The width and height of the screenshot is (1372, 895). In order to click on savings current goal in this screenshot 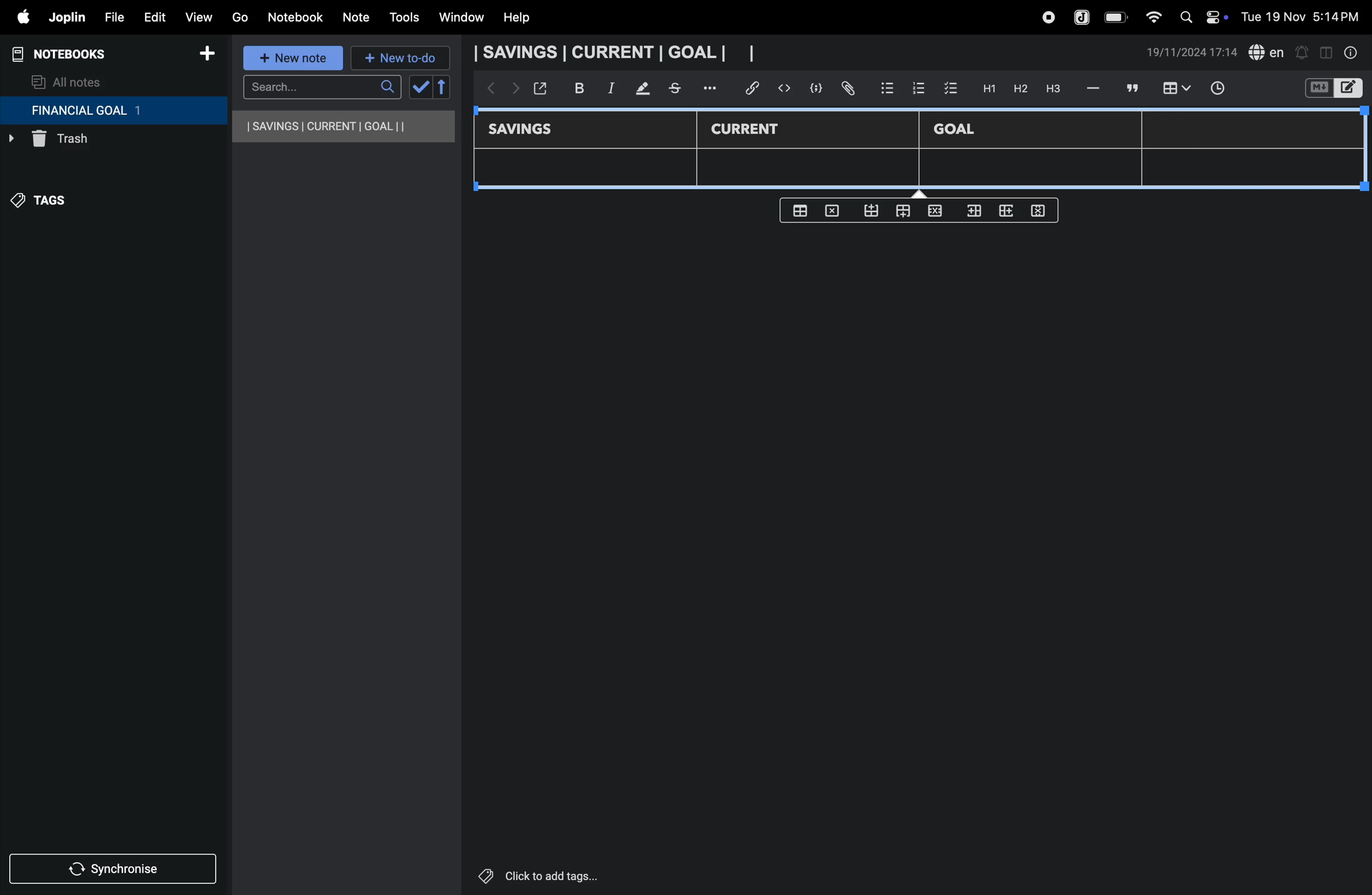, I will do `click(345, 126)`.